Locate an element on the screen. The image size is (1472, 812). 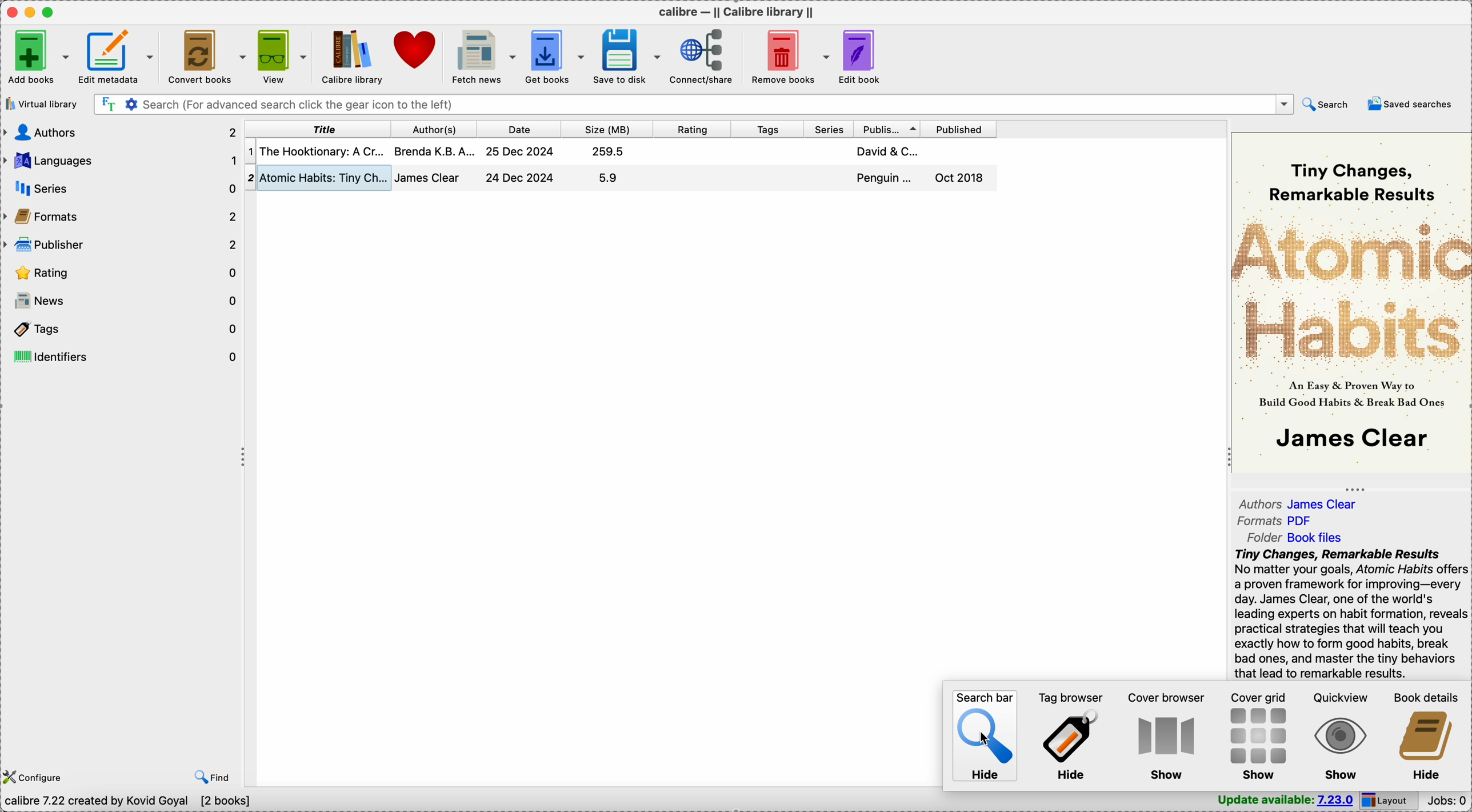
find is located at coordinates (208, 776).